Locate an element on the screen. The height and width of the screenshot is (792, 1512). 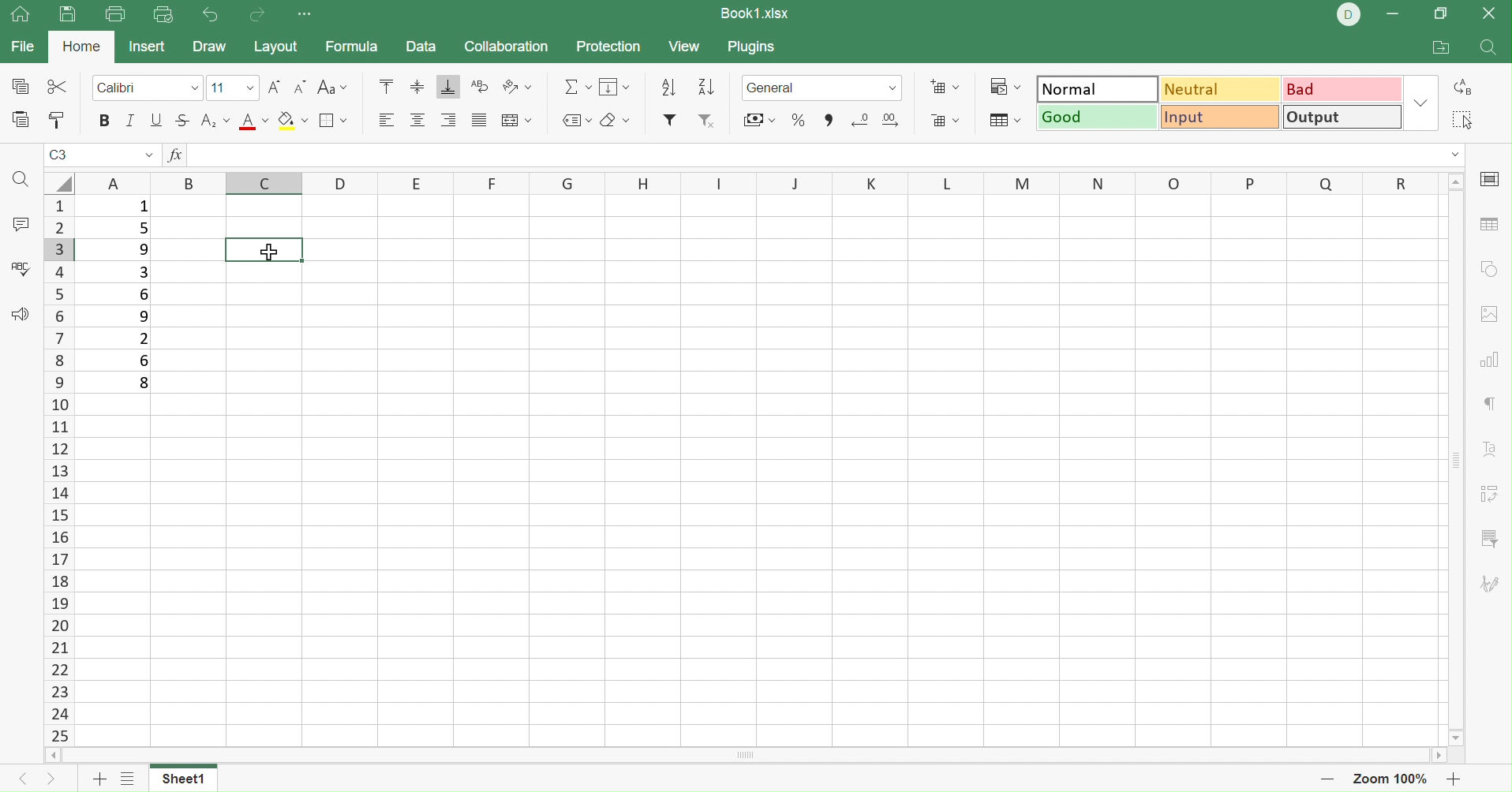
Image settings is located at coordinates (1489, 313).